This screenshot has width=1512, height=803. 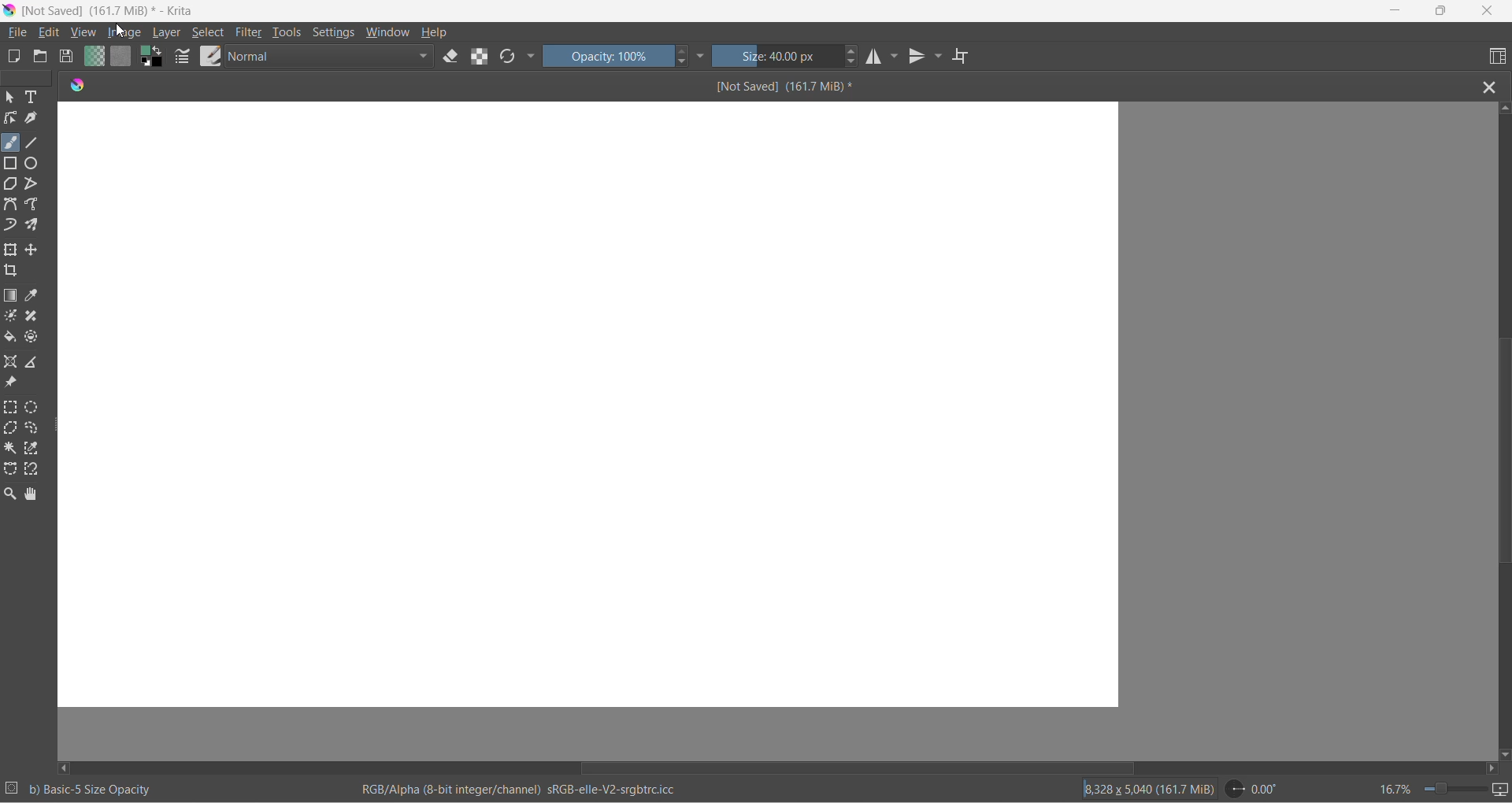 What do you see at coordinates (876, 58) in the screenshot?
I see `horizontal mirror tool` at bounding box center [876, 58].